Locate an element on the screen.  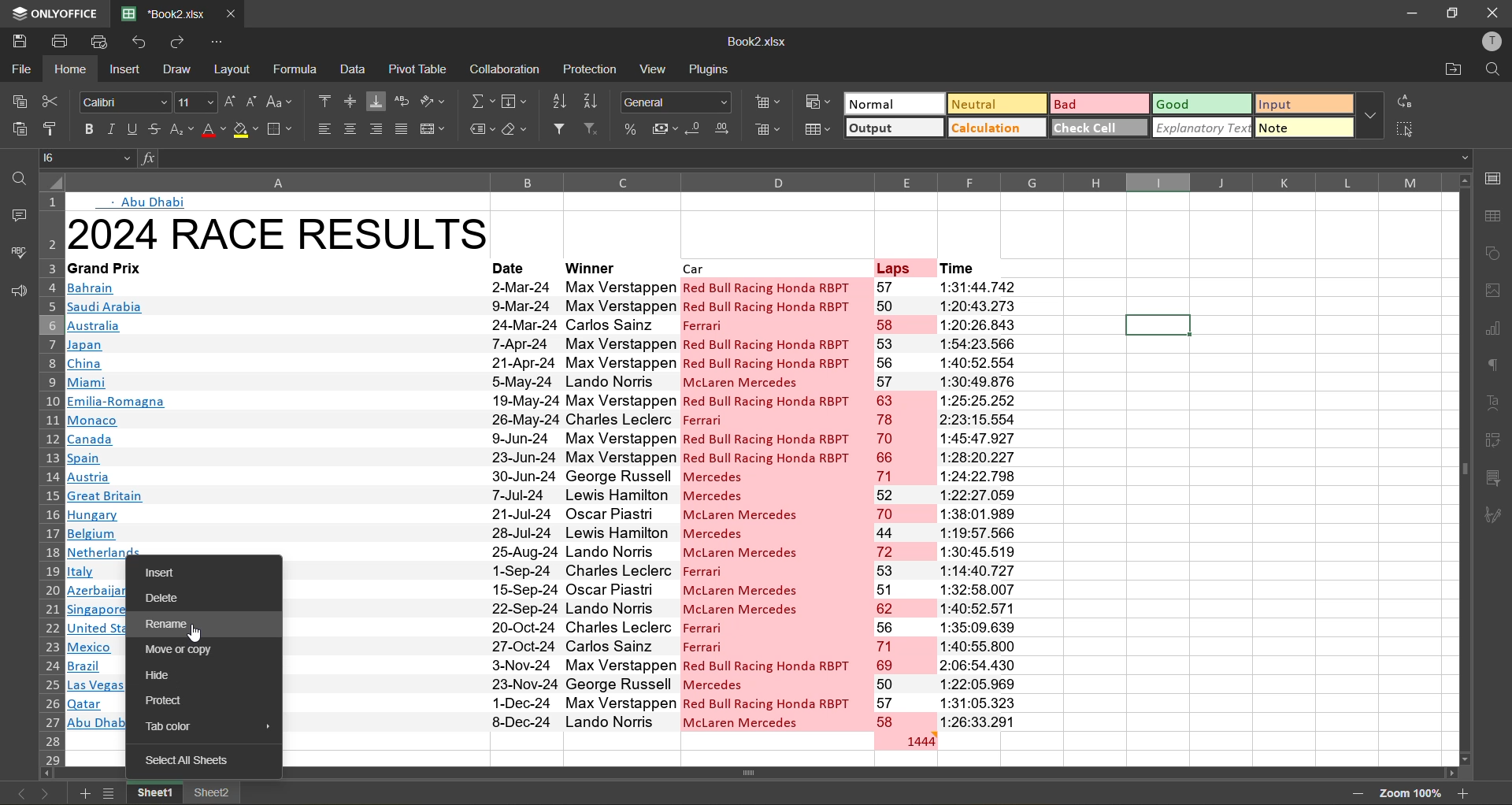
conditional formatting is located at coordinates (817, 102).